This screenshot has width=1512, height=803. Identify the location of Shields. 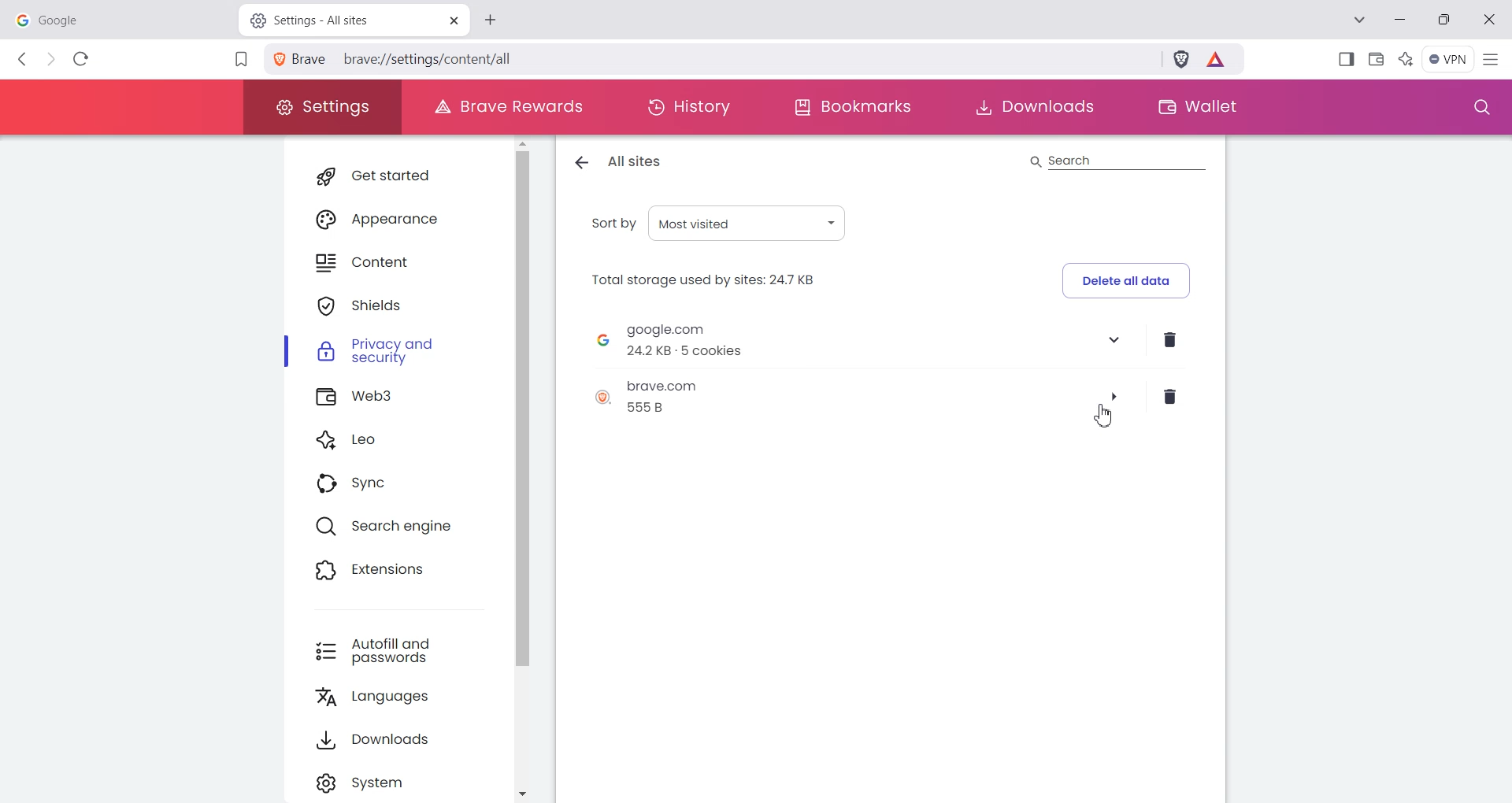
(390, 305).